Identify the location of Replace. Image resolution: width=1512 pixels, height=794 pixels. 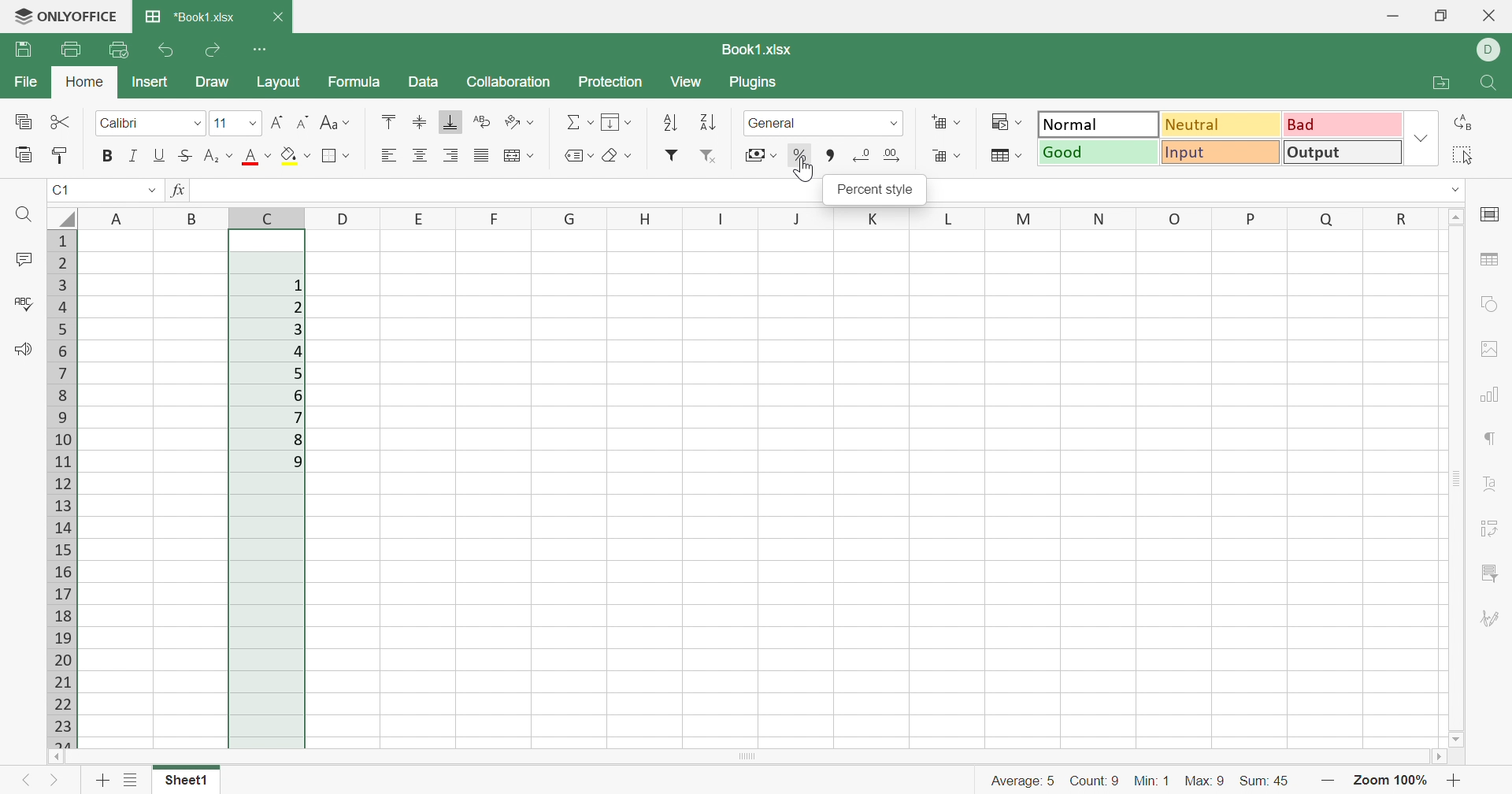
(1462, 124).